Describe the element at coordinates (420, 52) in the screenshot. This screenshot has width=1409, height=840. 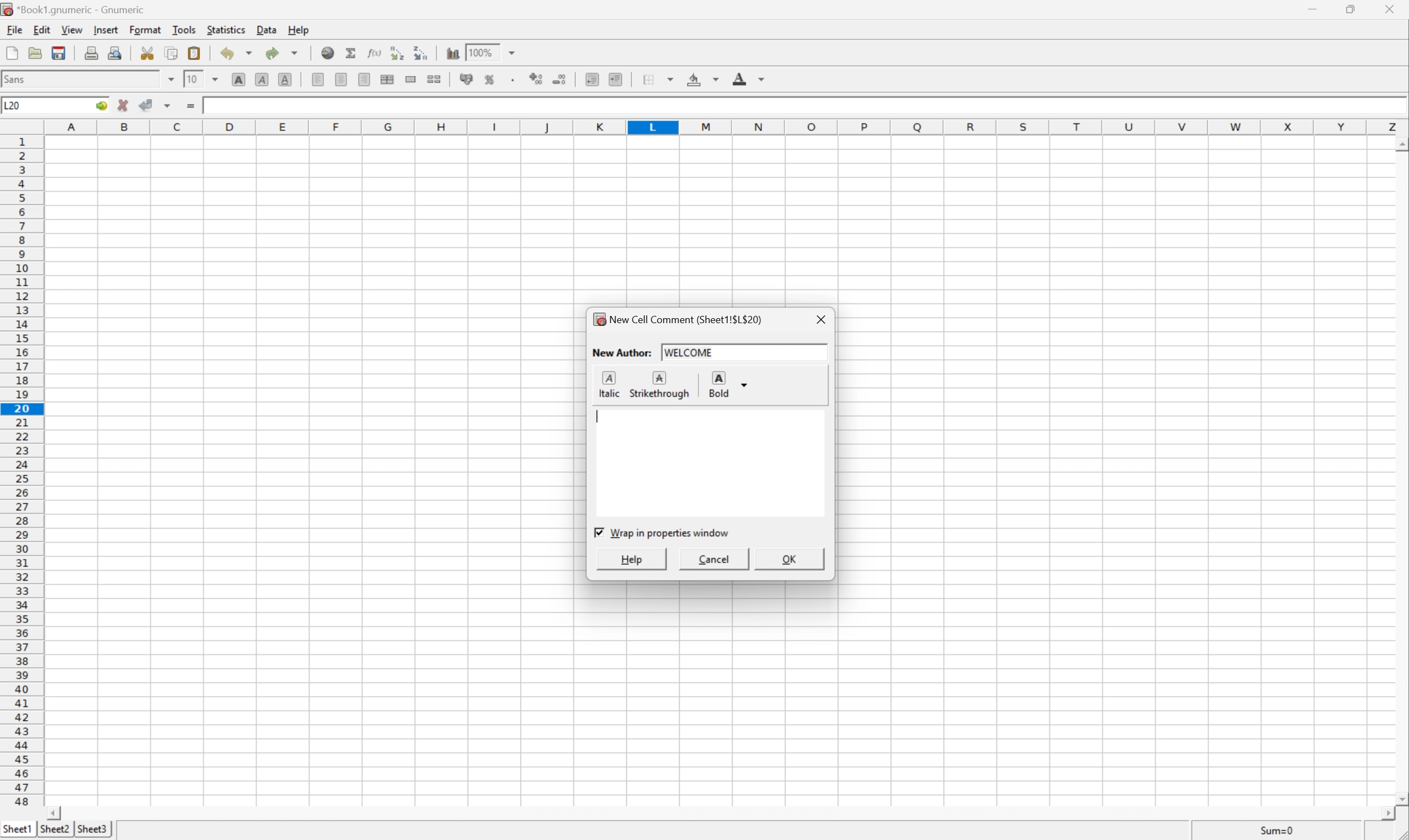
I see `Sort the selected region in descending order based on the first column selected` at that location.